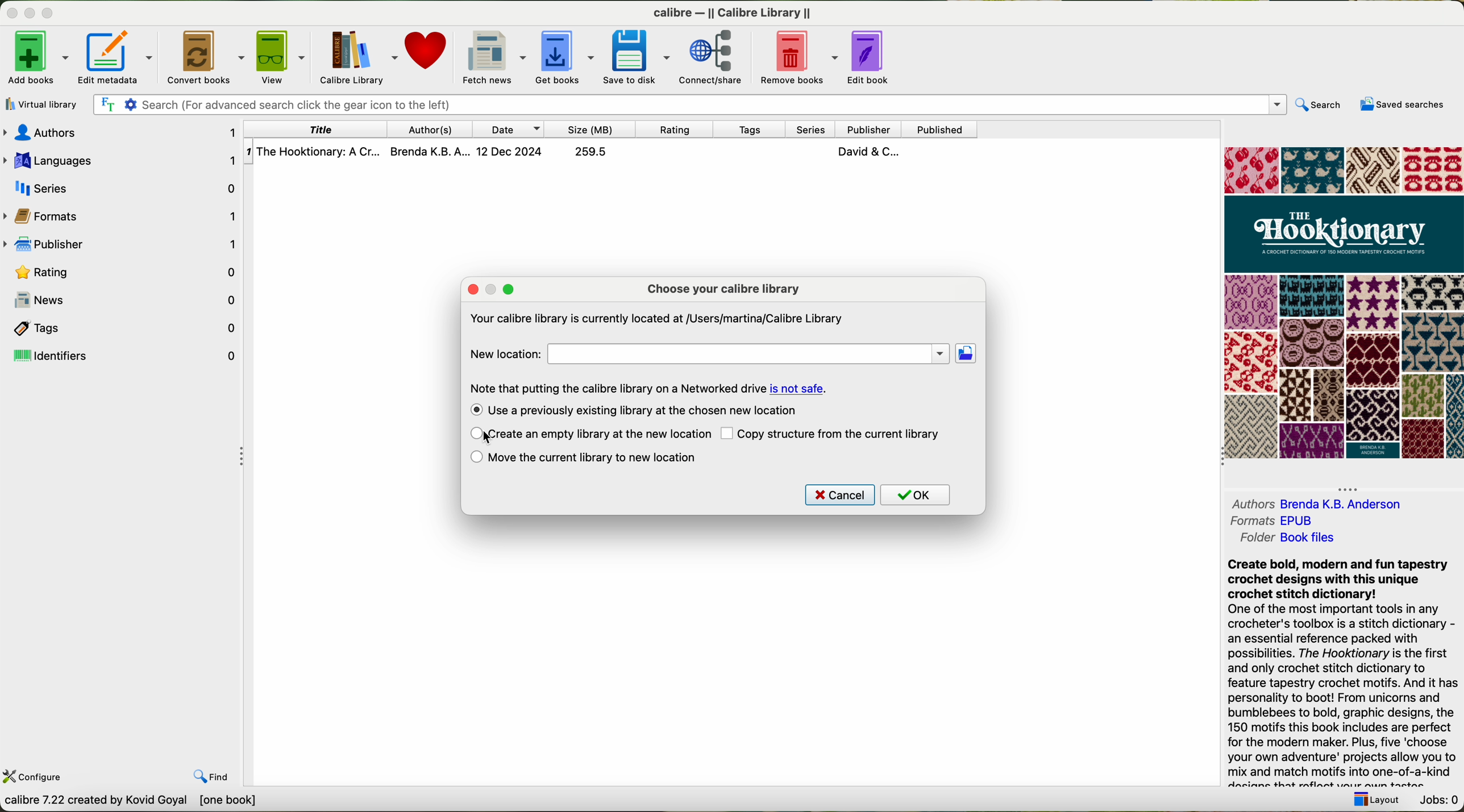  I want to click on new location, so click(708, 352).